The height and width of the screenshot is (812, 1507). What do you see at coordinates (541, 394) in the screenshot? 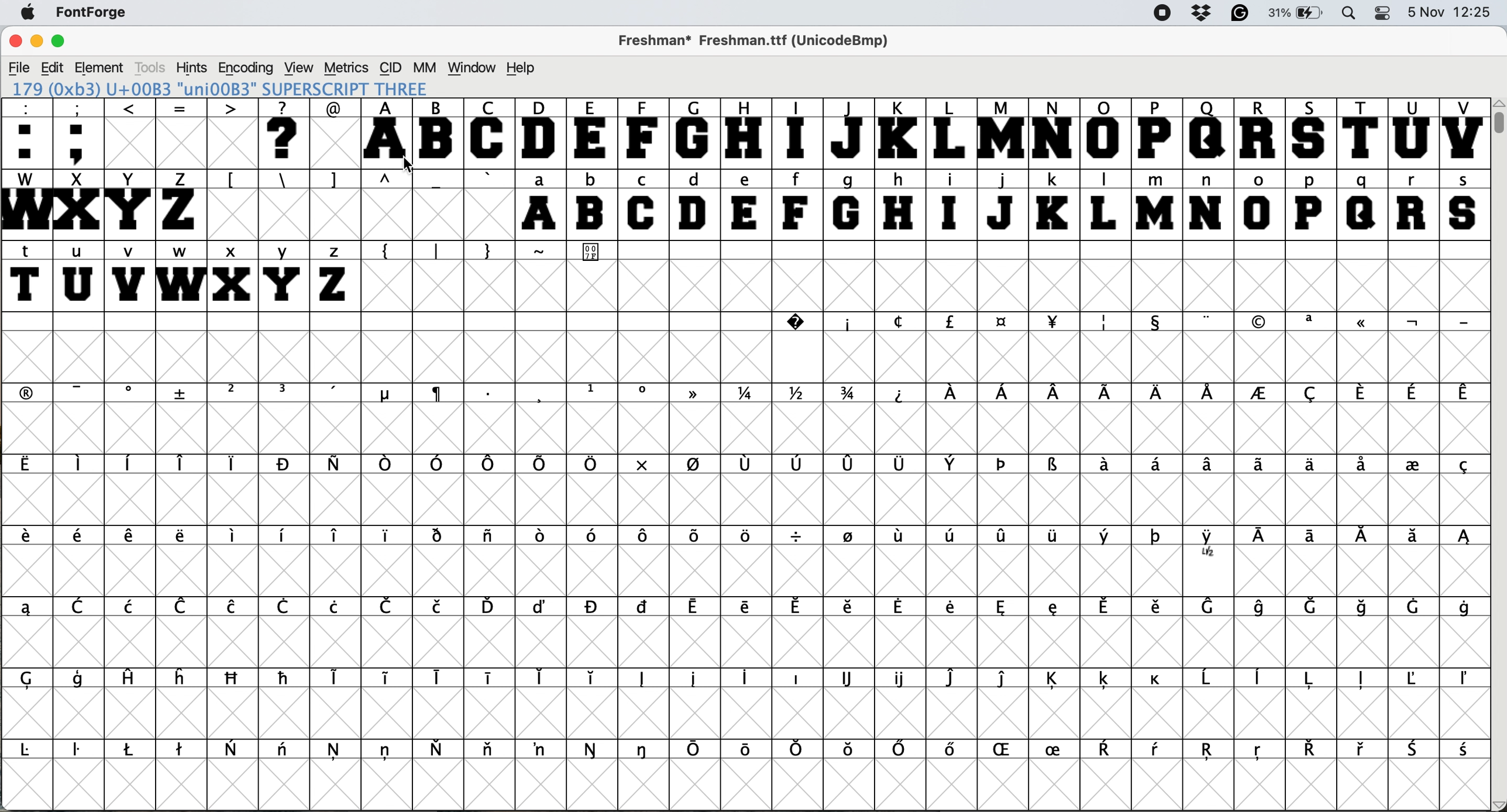
I see `,` at bounding box center [541, 394].